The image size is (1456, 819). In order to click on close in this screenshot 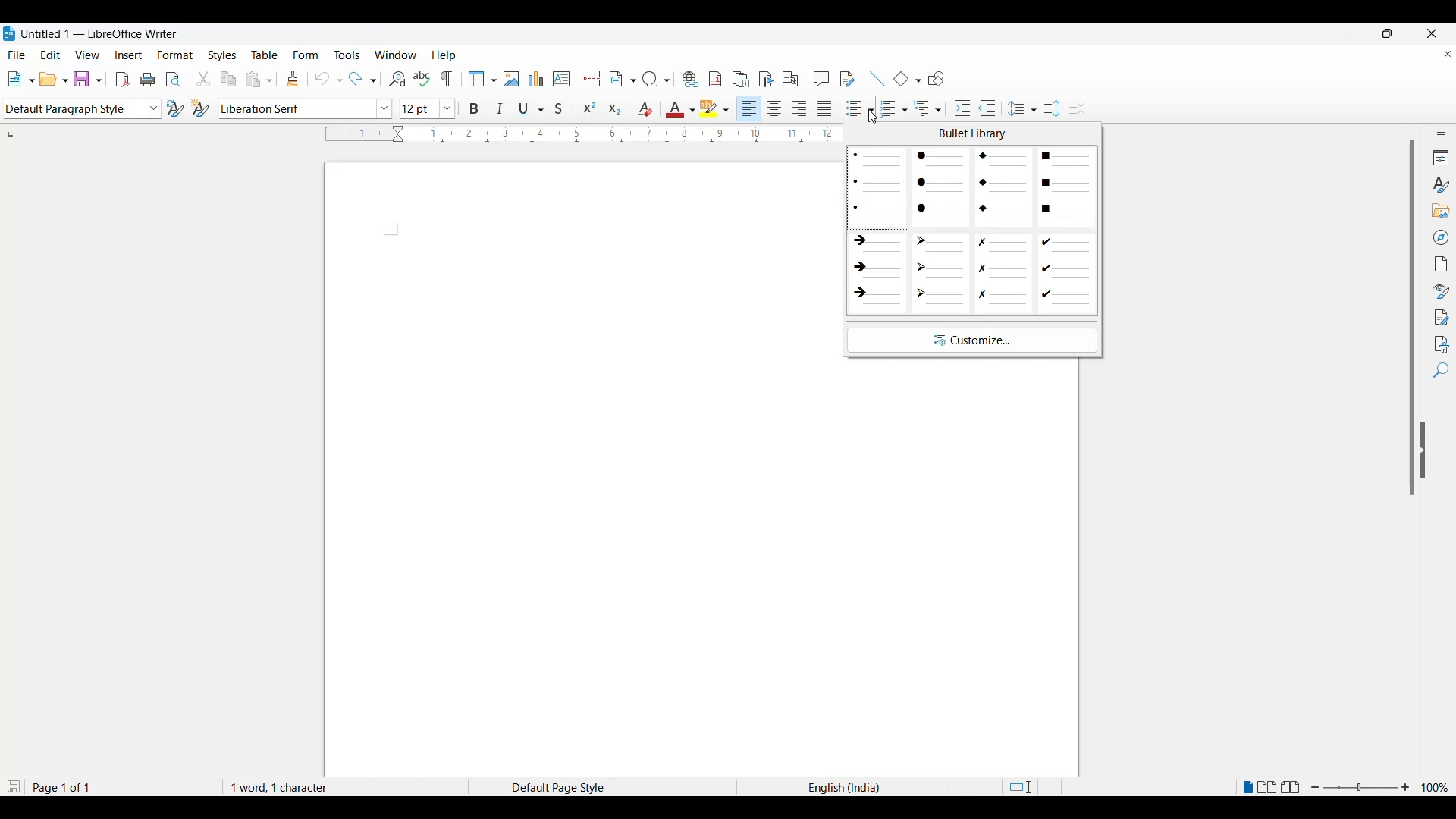, I will do `click(1422, 32)`.